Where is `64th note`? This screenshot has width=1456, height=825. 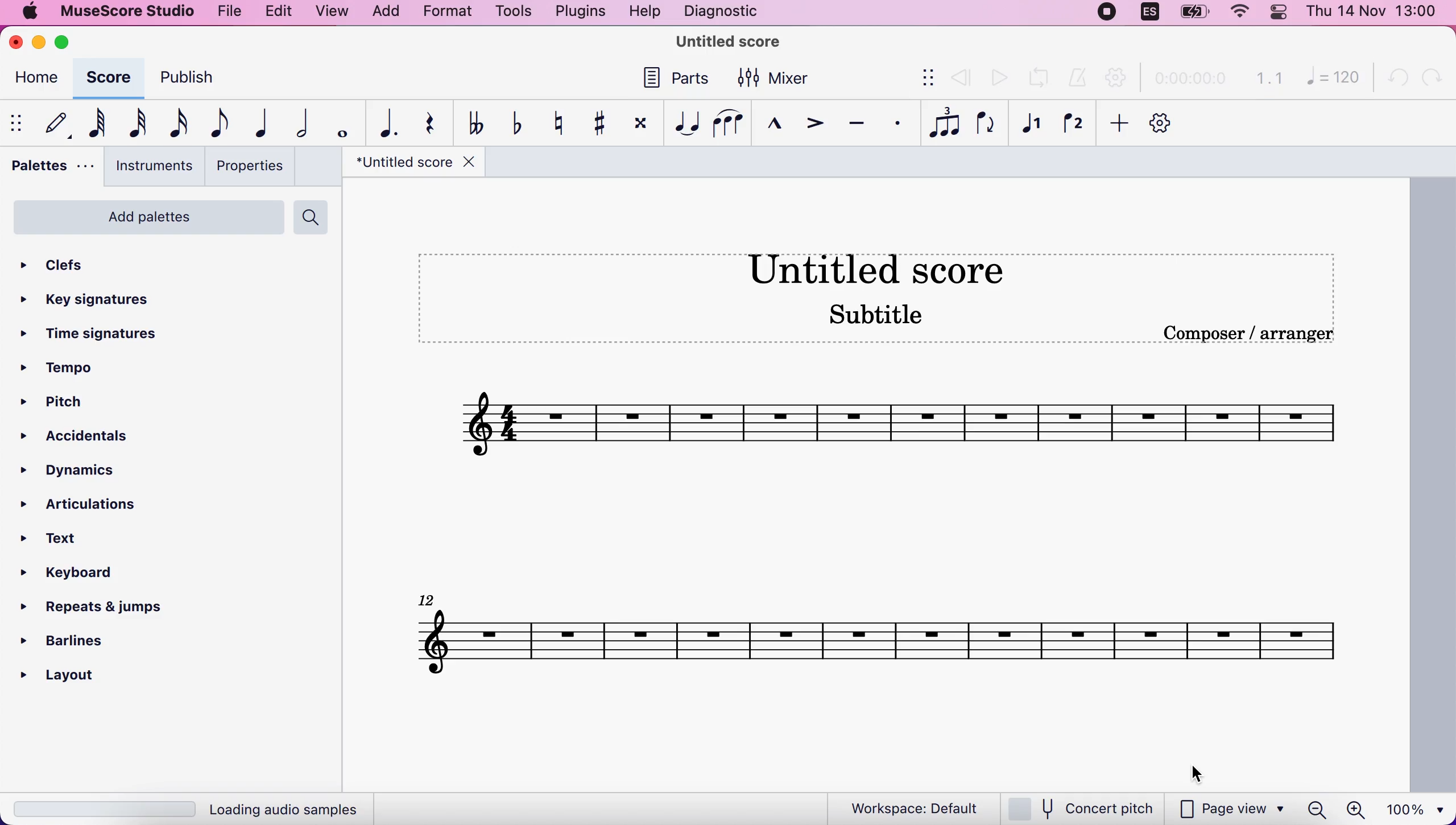
64th note is located at coordinates (98, 122).